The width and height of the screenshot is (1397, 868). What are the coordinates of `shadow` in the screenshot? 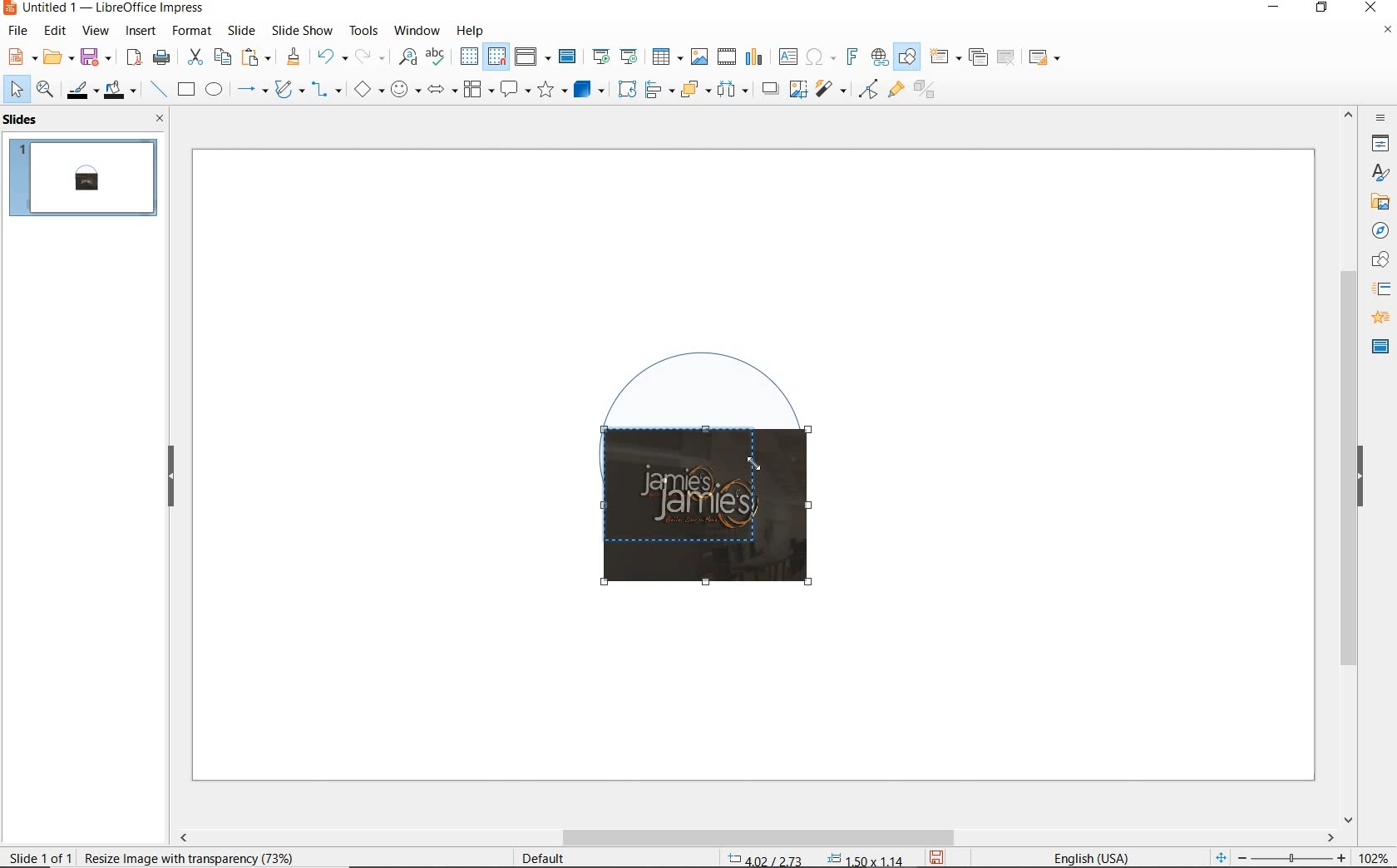 It's located at (769, 87).